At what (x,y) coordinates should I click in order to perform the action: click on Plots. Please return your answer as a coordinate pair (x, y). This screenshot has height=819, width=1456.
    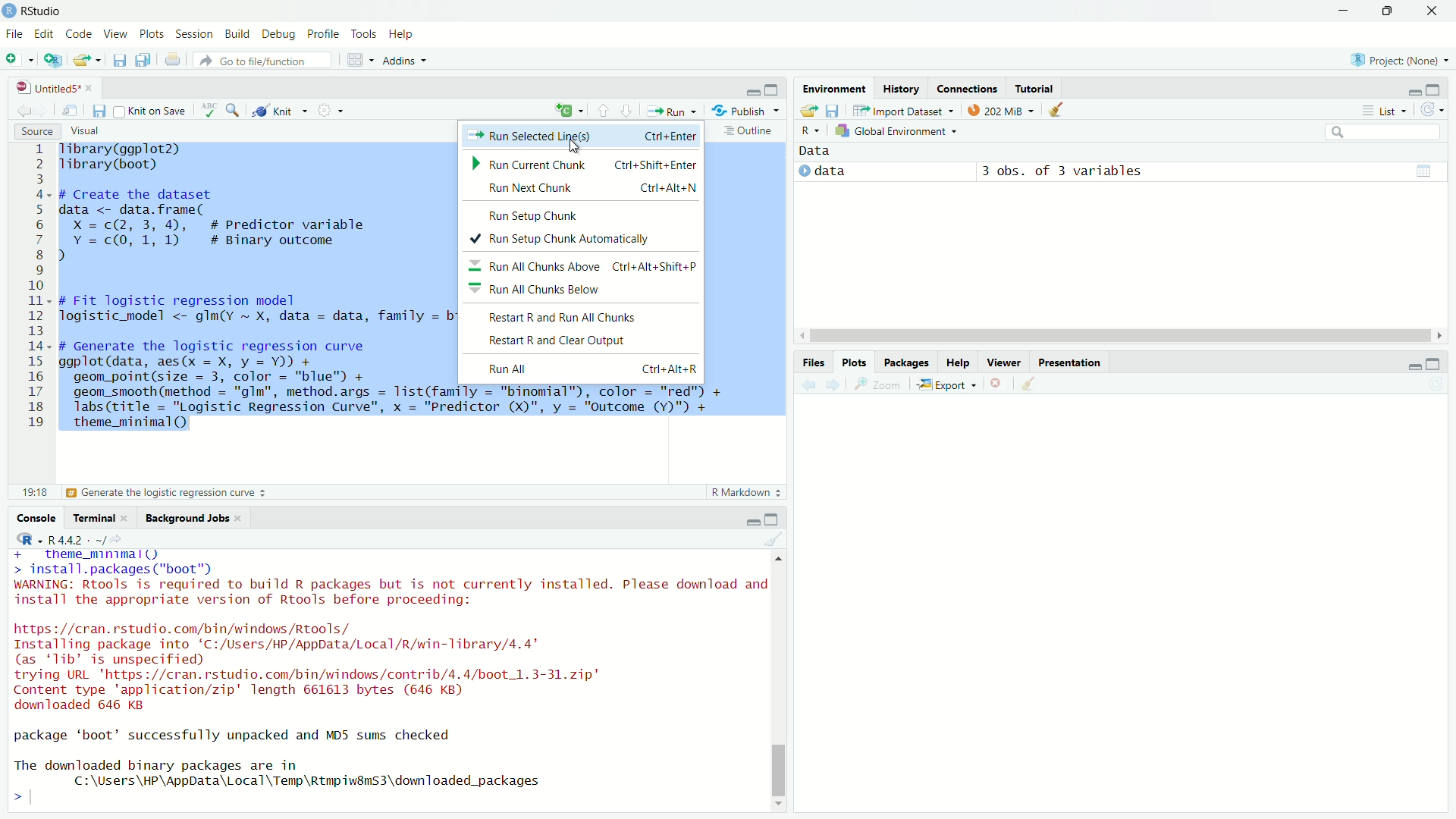
    Looking at the image, I should click on (855, 362).